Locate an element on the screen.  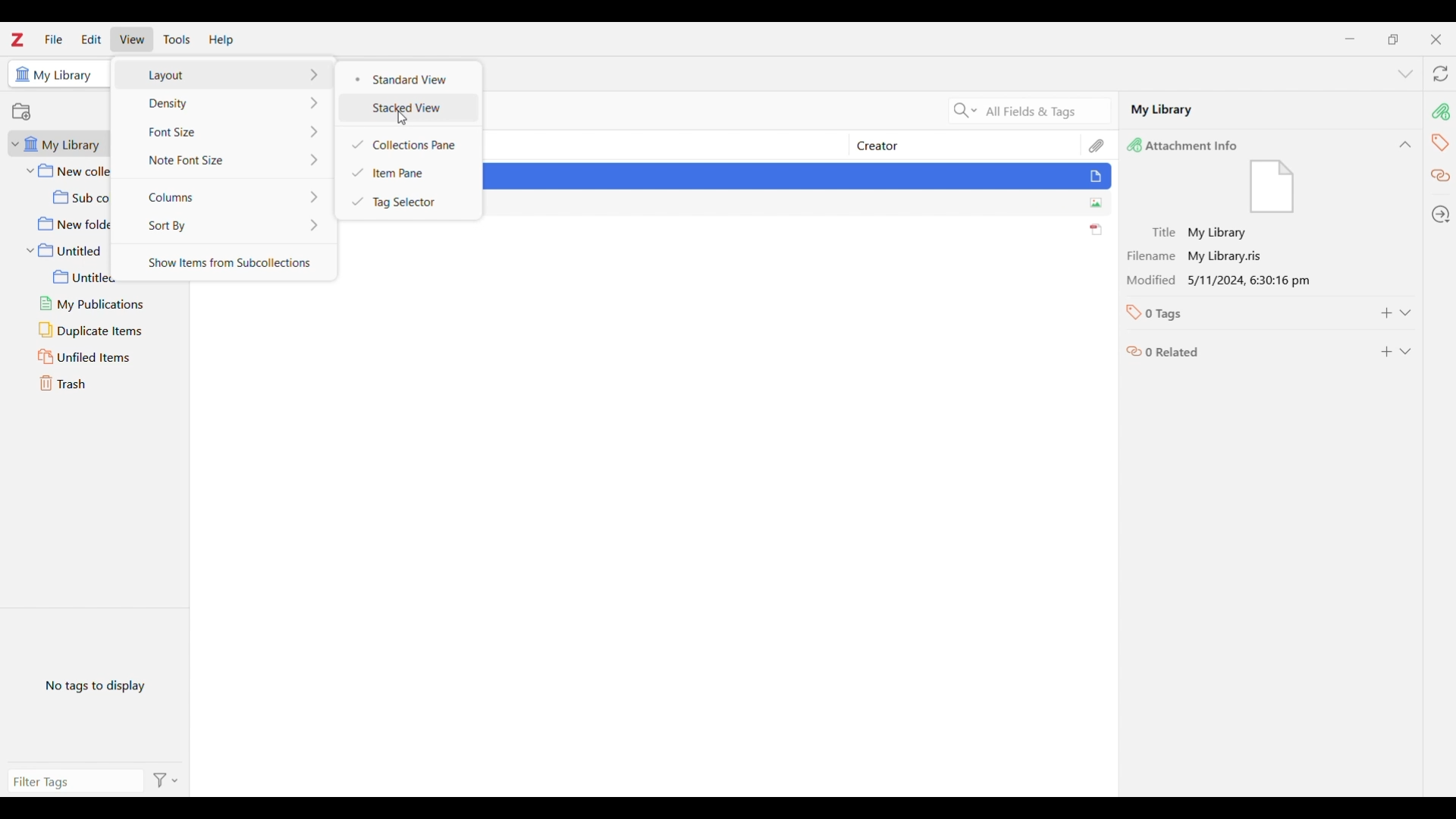
Filter options is located at coordinates (165, 780).